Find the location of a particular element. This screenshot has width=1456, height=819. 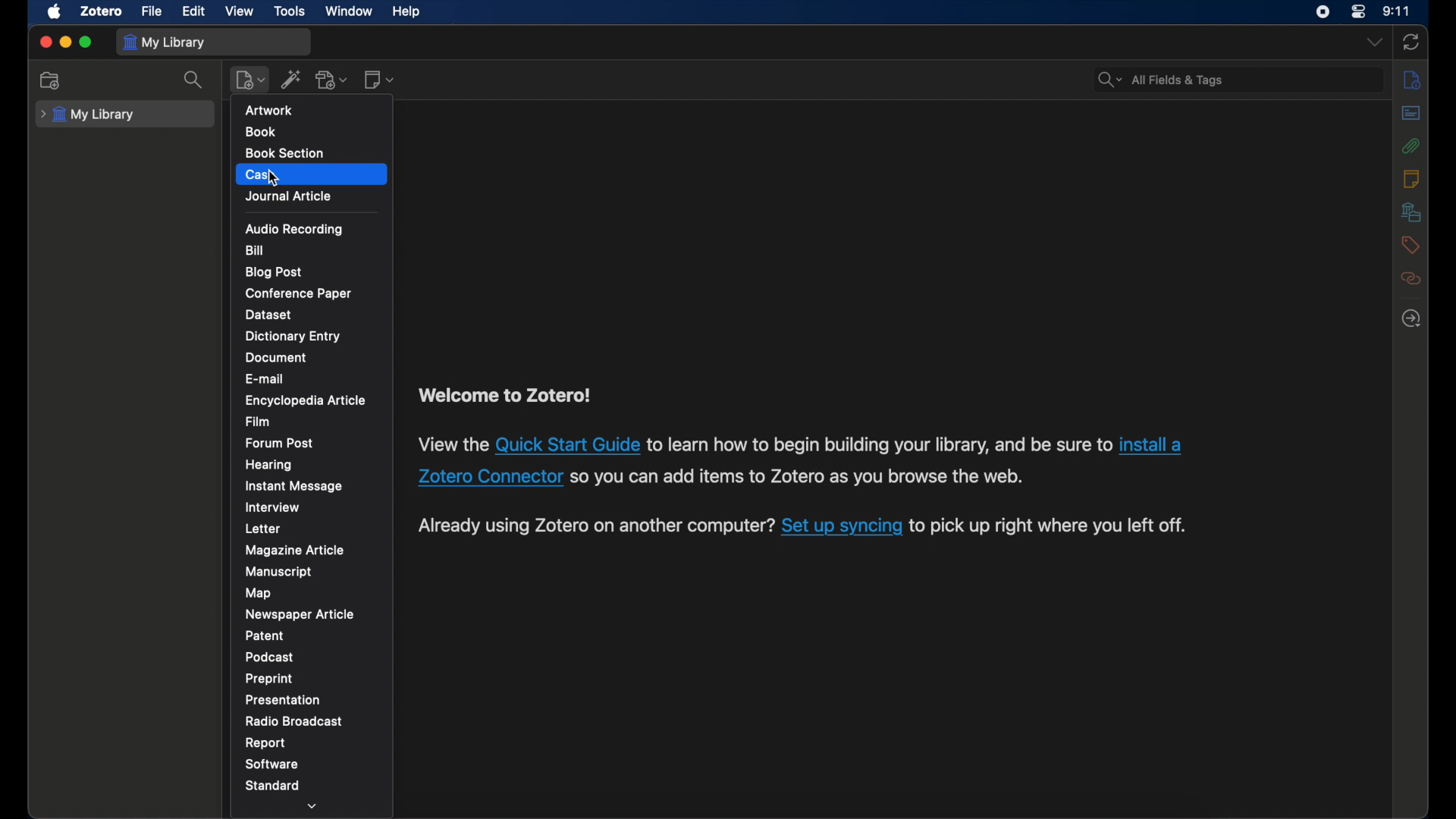

time is located at coordinates (1396, 11).